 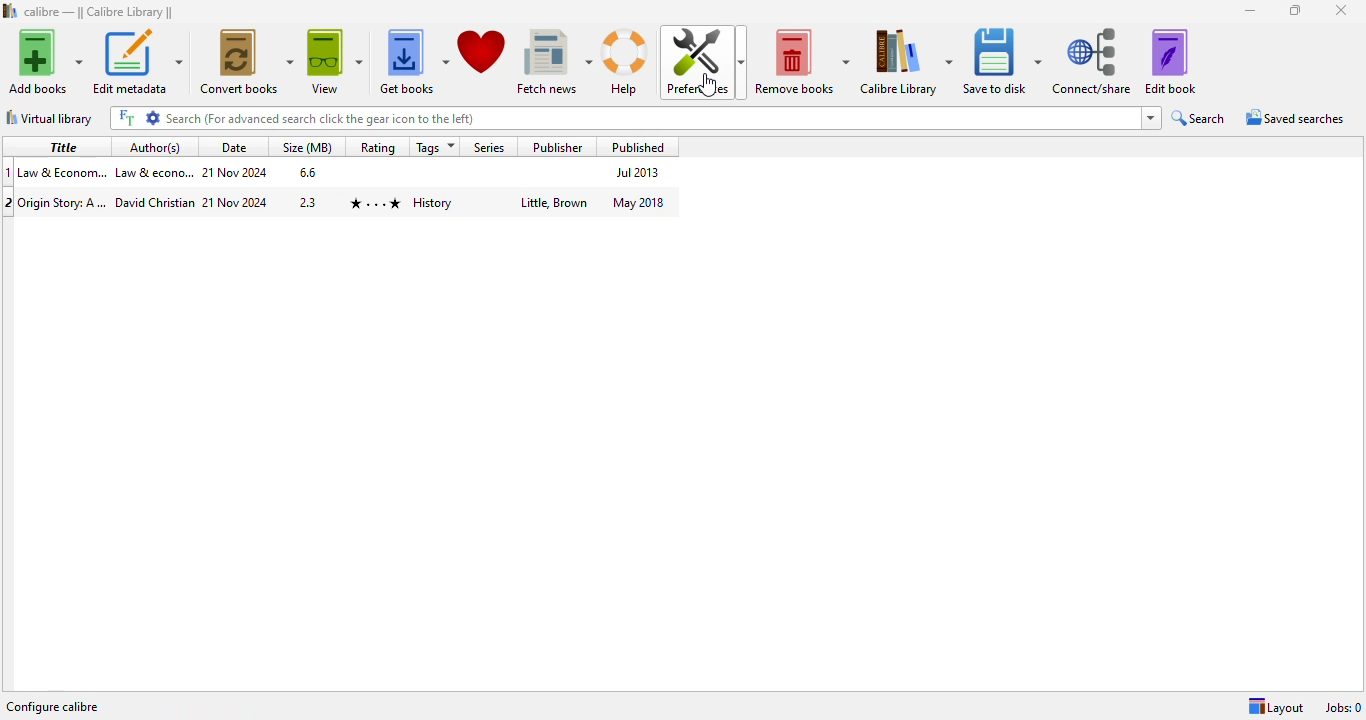 I want to click on maximize, so click(x=1296, y=10).